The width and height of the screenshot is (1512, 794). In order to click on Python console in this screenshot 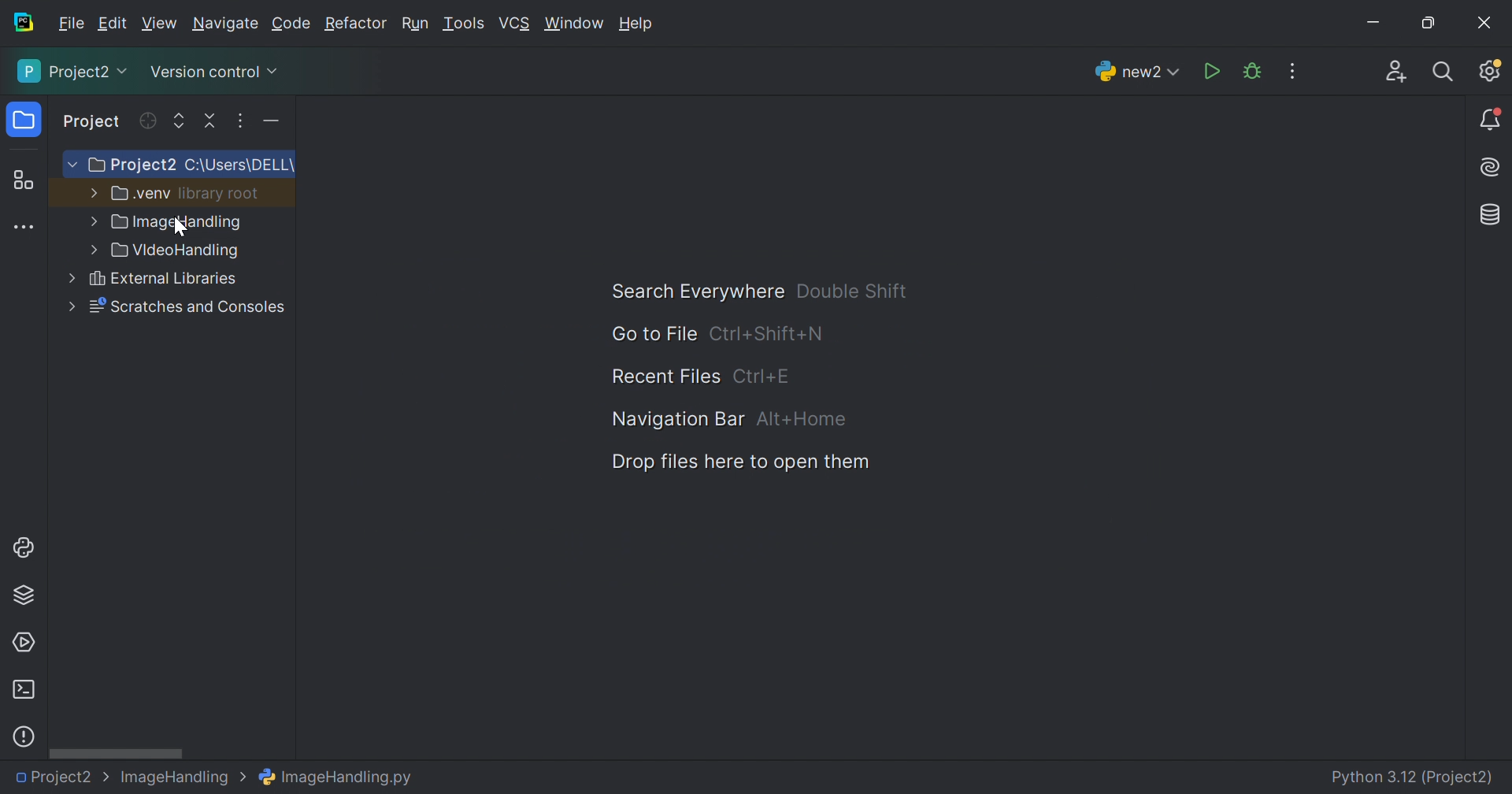, I will do `click(26, 547)`.